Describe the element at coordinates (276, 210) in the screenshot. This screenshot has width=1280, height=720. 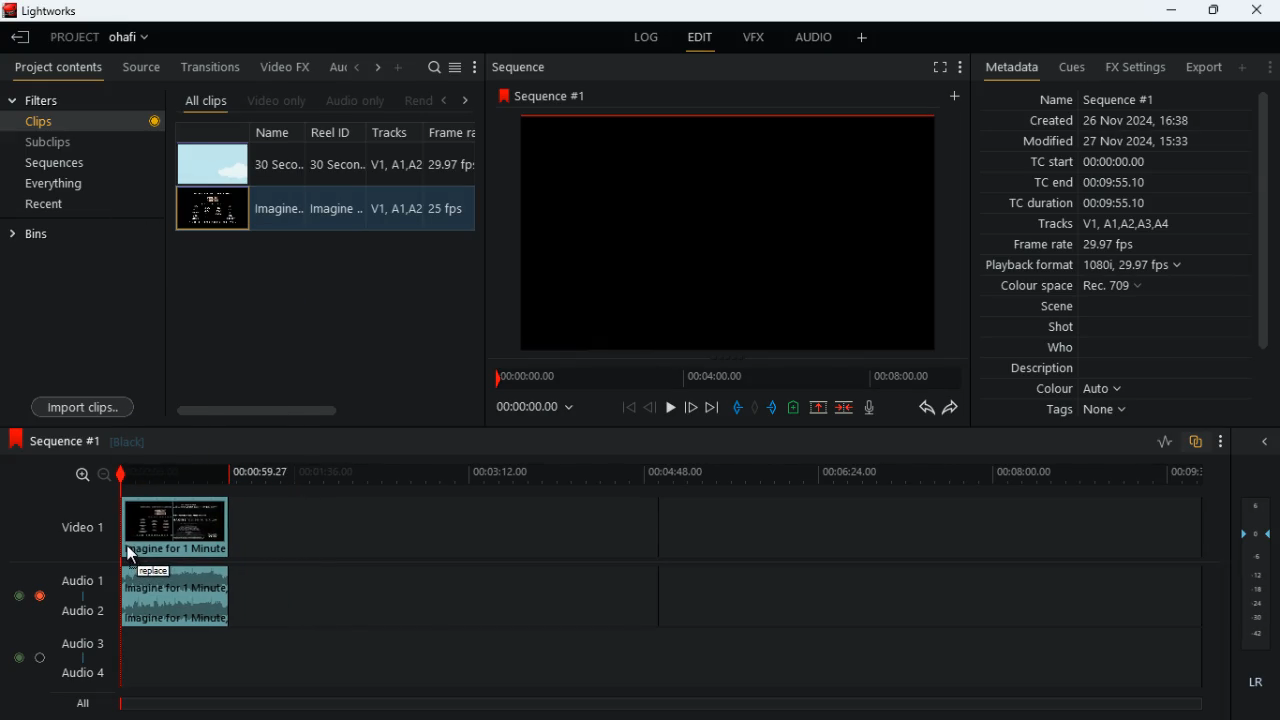
I see `Name` at that location.